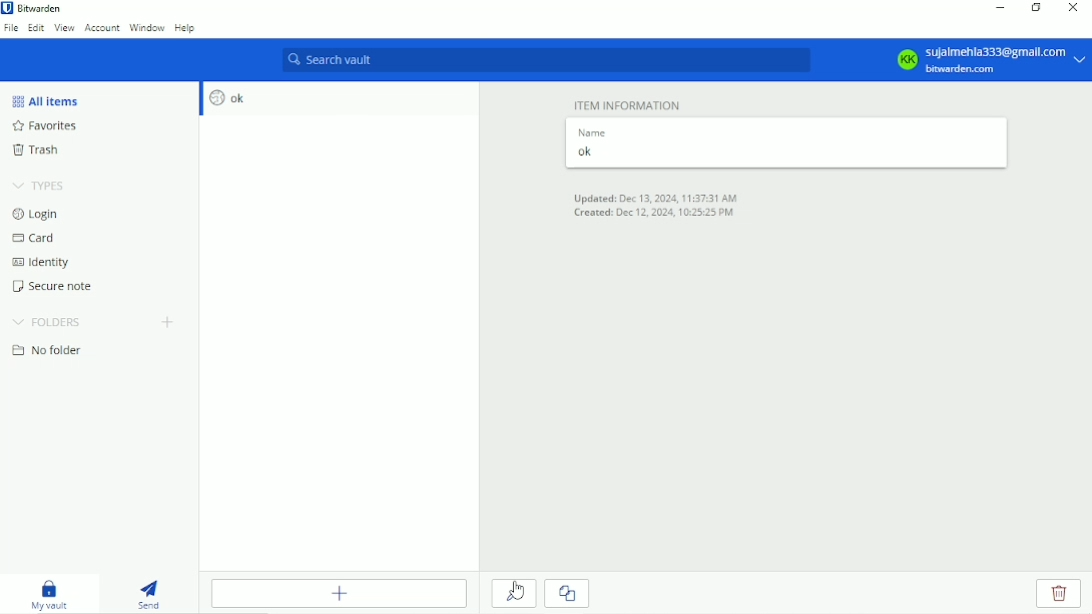  What do you see at coordinates (569, 593) in the screenshot?
I see `Clone` at bounding box center [569, 593].